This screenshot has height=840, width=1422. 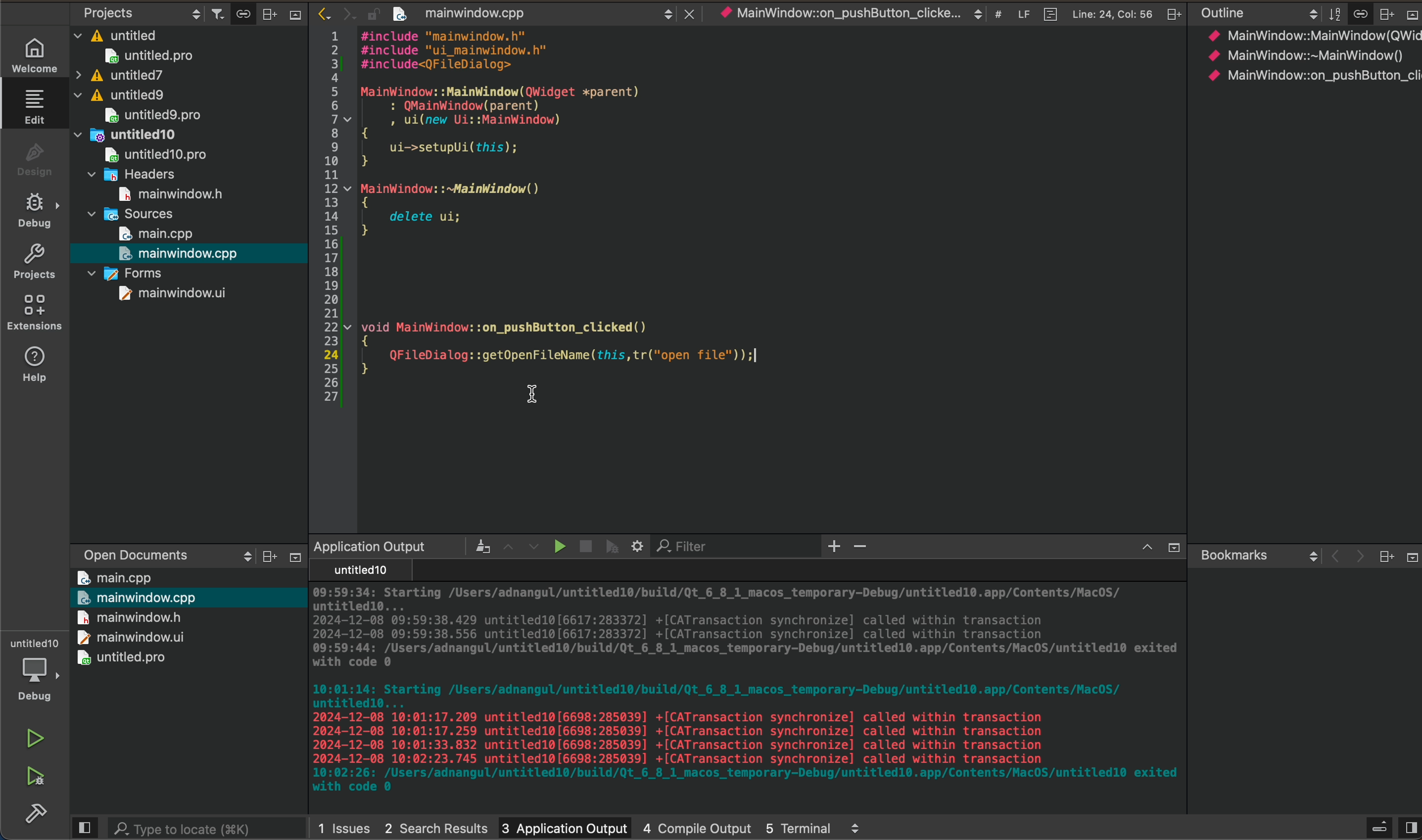 I want to click on , so click(x=1385, y=556).